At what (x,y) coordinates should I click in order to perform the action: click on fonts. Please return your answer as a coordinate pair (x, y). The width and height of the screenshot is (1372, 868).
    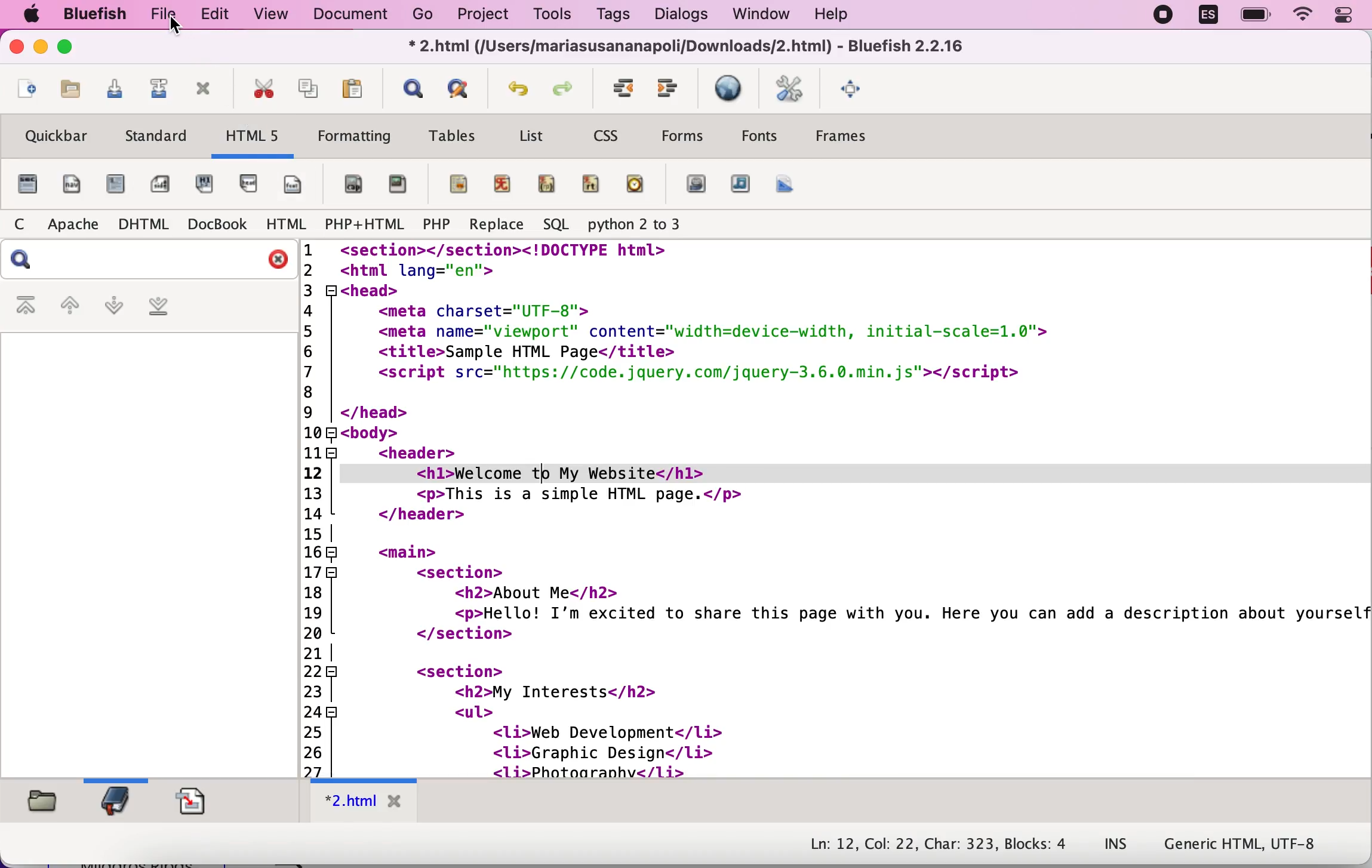
    Looking at the image, I should click on (758, 135).